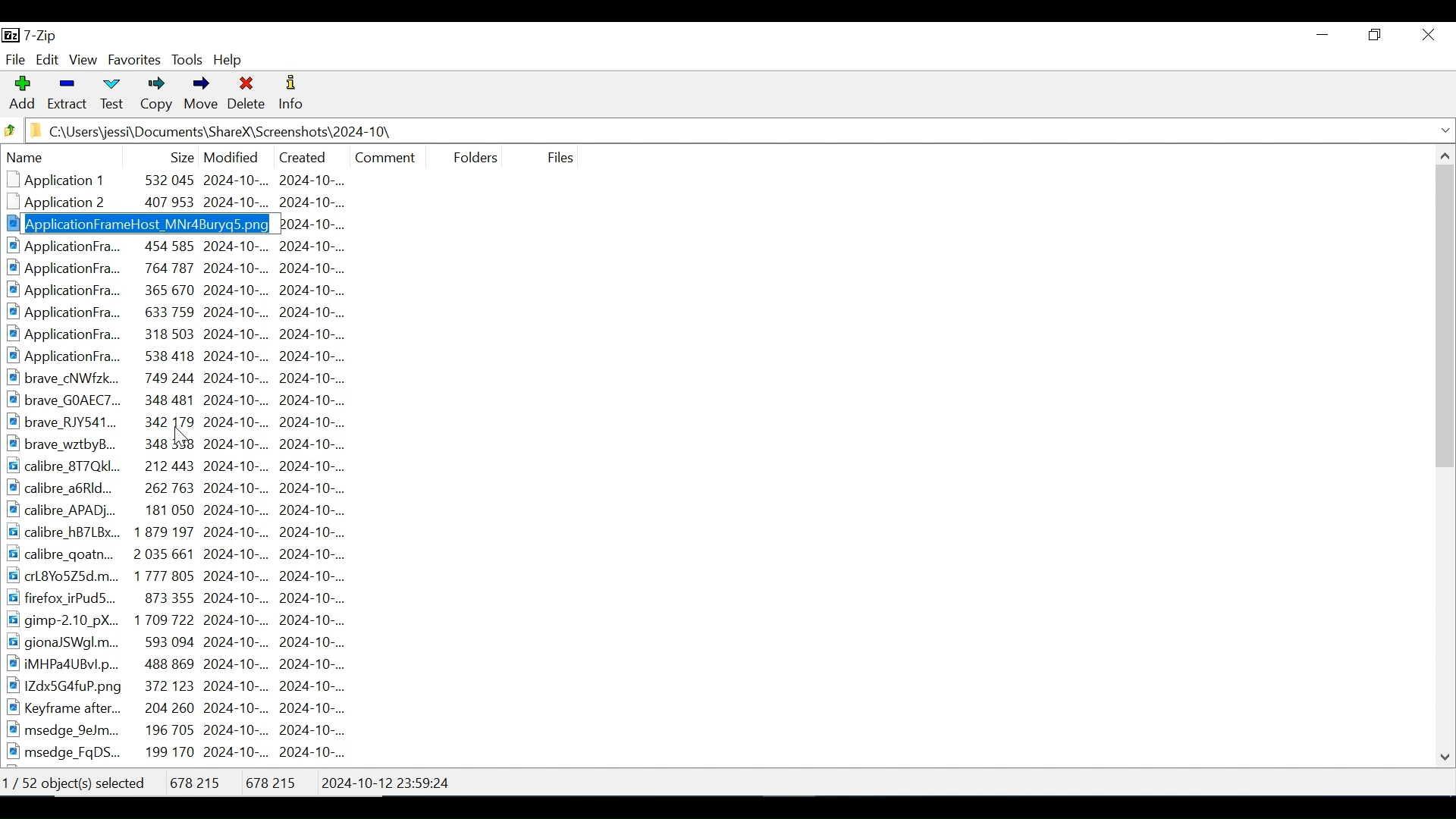 Image resolution: width=1456 pixels, height=819 pixels. I want to click on 7-Zip Desktop Icon, so click(33, 36).